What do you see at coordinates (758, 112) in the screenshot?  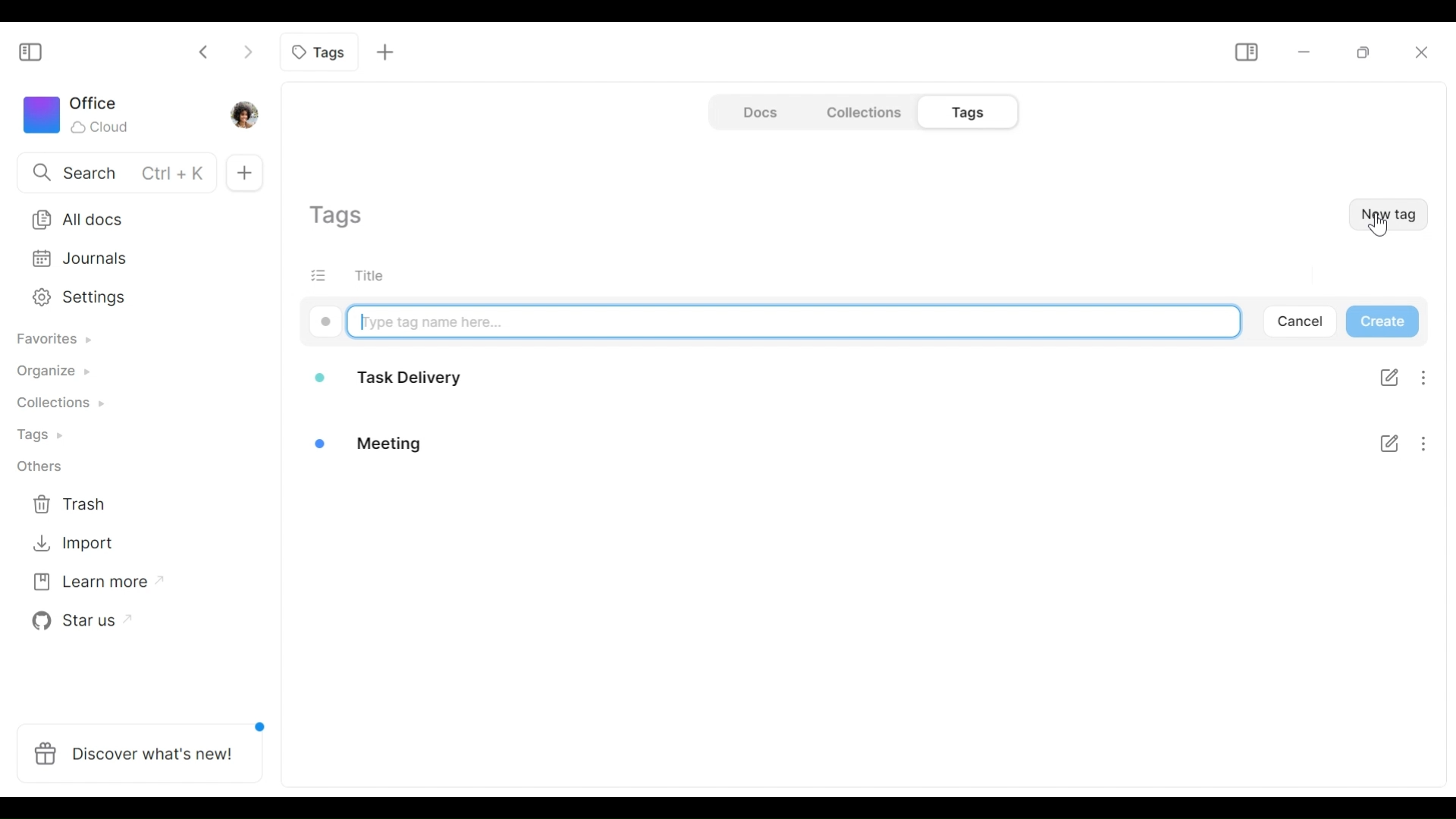 I see `Document` at bounding box center [758, 112].